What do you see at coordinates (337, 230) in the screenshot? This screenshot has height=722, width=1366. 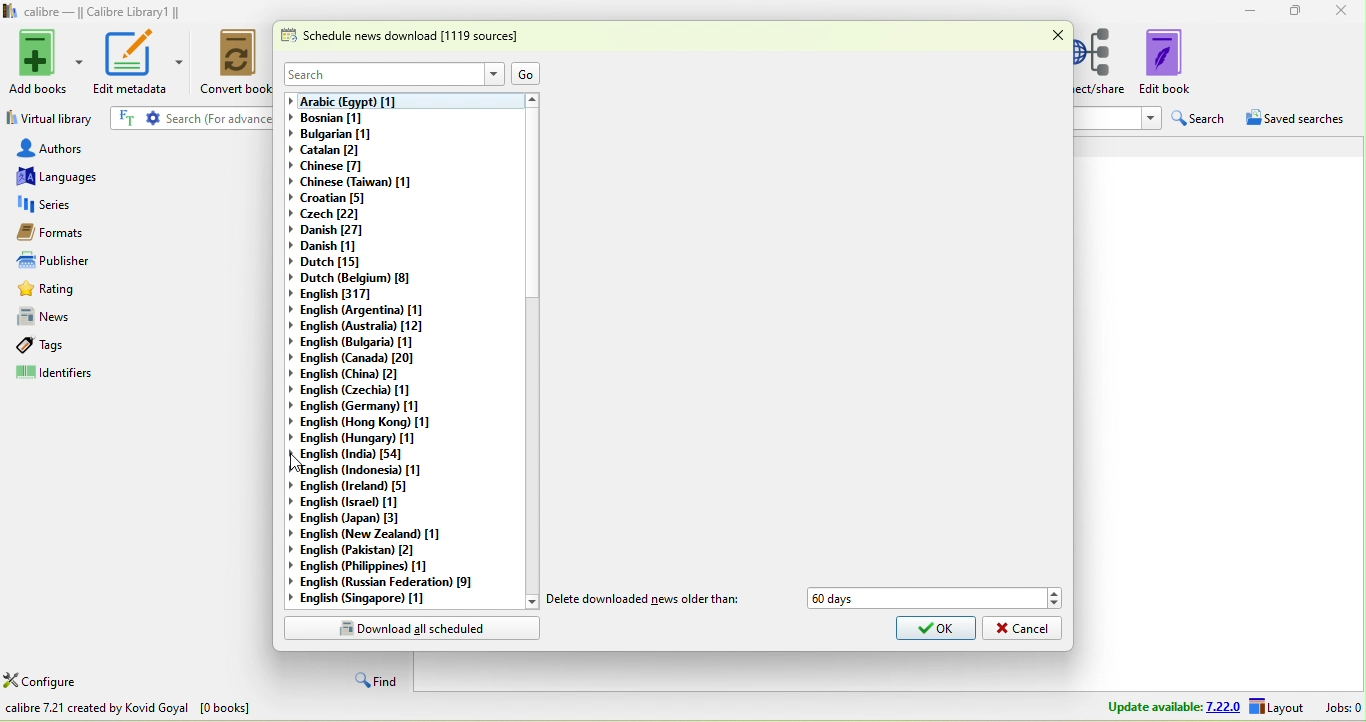 I see `danish[27]` at bounding box center [337, 230].